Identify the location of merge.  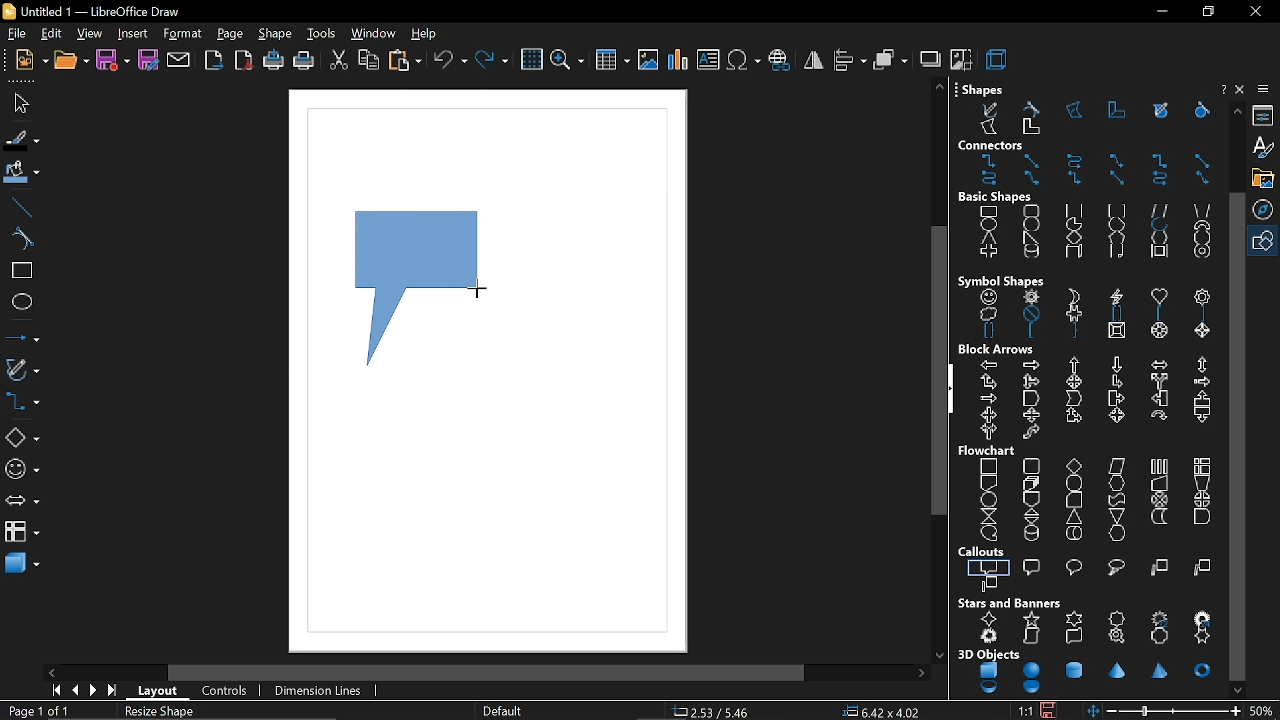
(1117, 515).